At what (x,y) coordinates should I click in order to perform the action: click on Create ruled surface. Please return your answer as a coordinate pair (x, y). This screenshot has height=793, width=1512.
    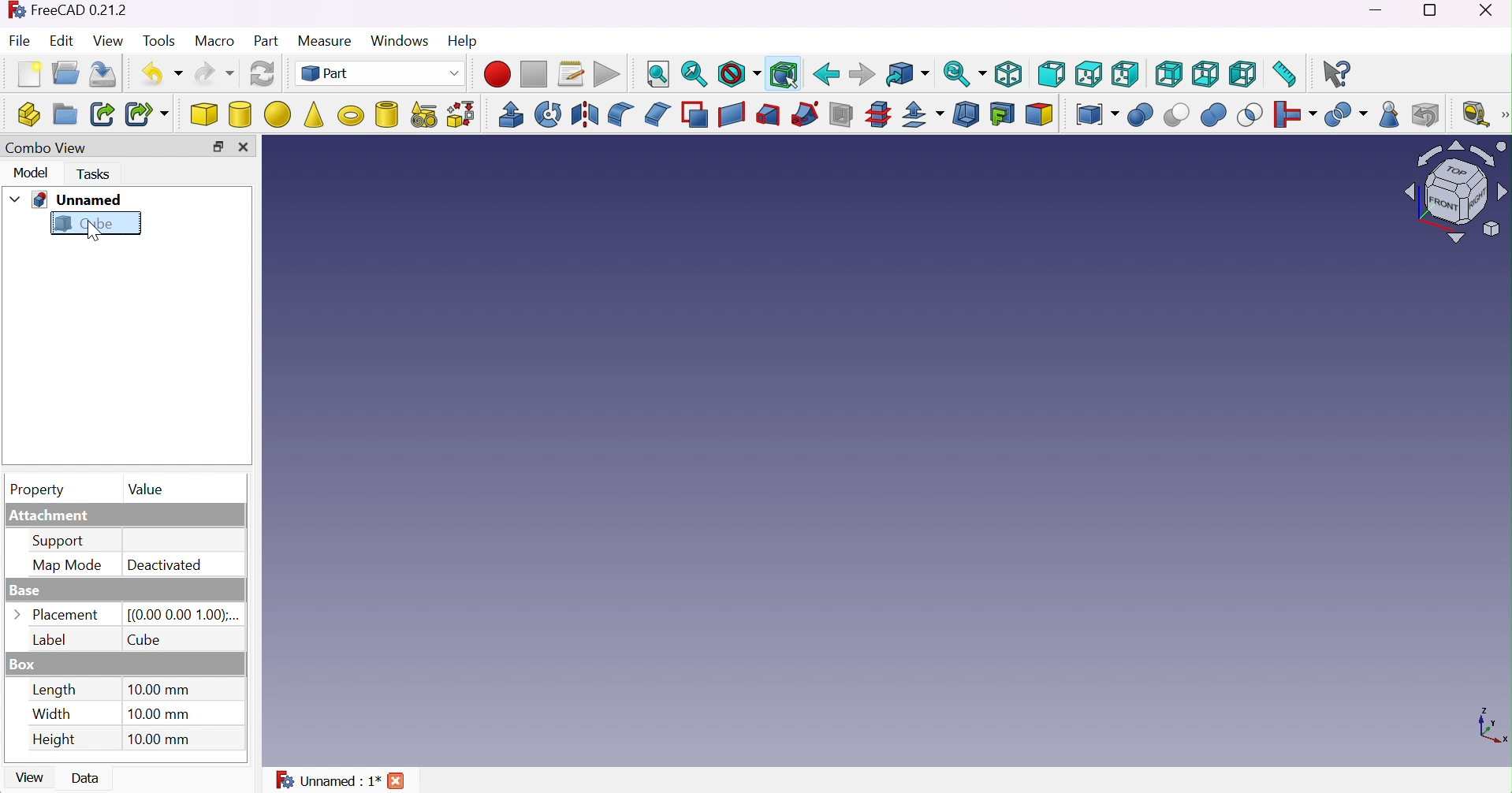
    Looking at the image, I should click on (734, 116).